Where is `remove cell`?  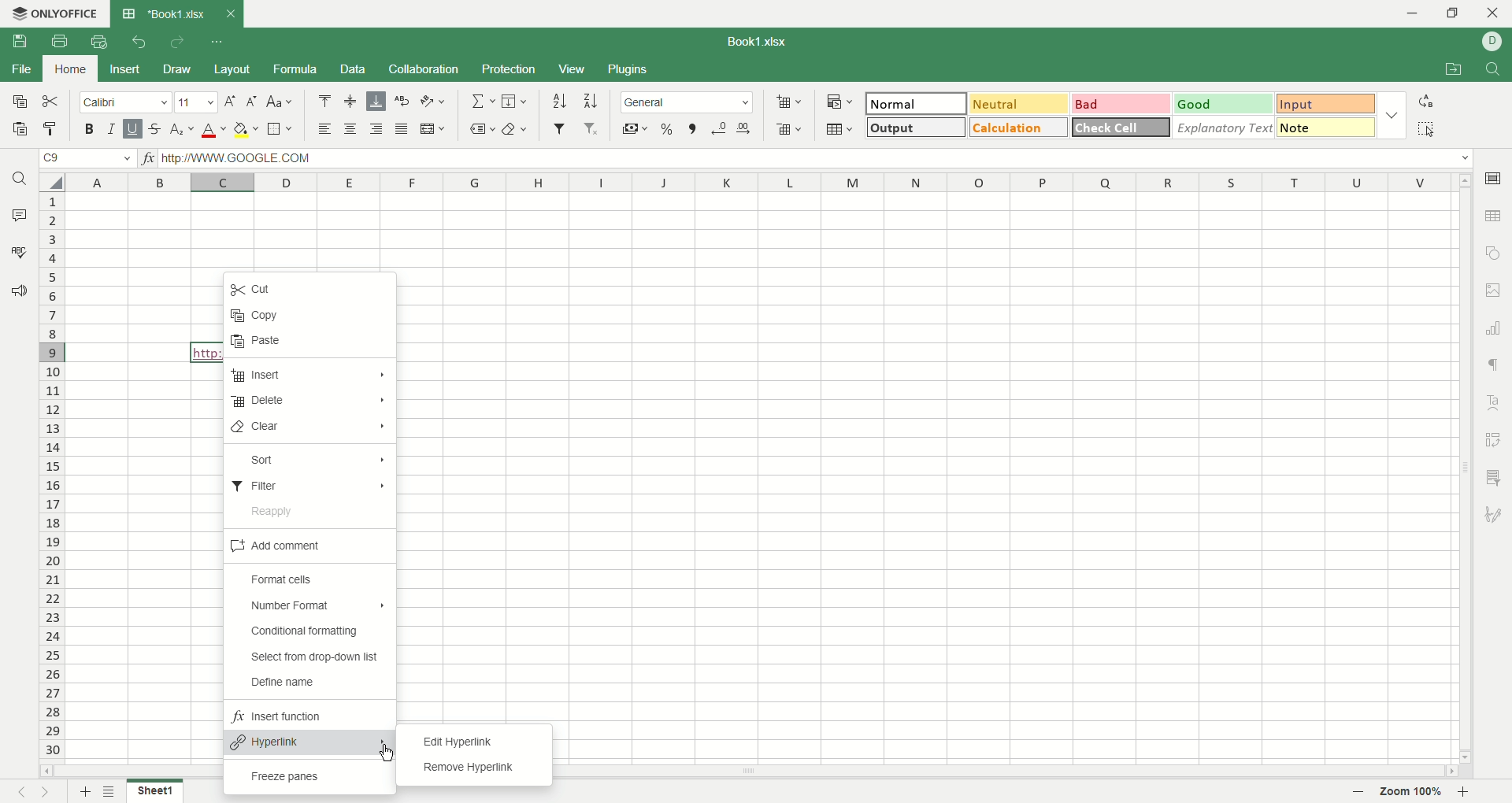 remove cell is located at coordinates (787, 128).